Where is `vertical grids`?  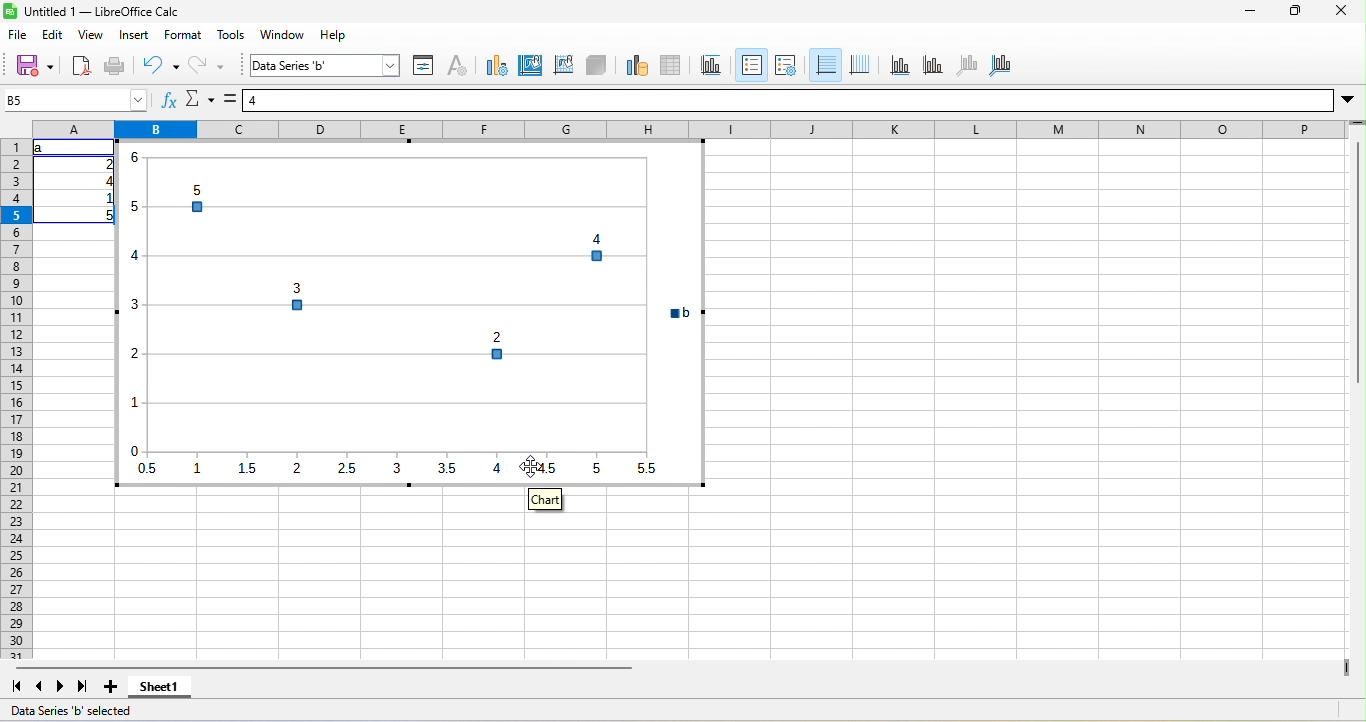
vertical grids is located at coordinates (860, 67).